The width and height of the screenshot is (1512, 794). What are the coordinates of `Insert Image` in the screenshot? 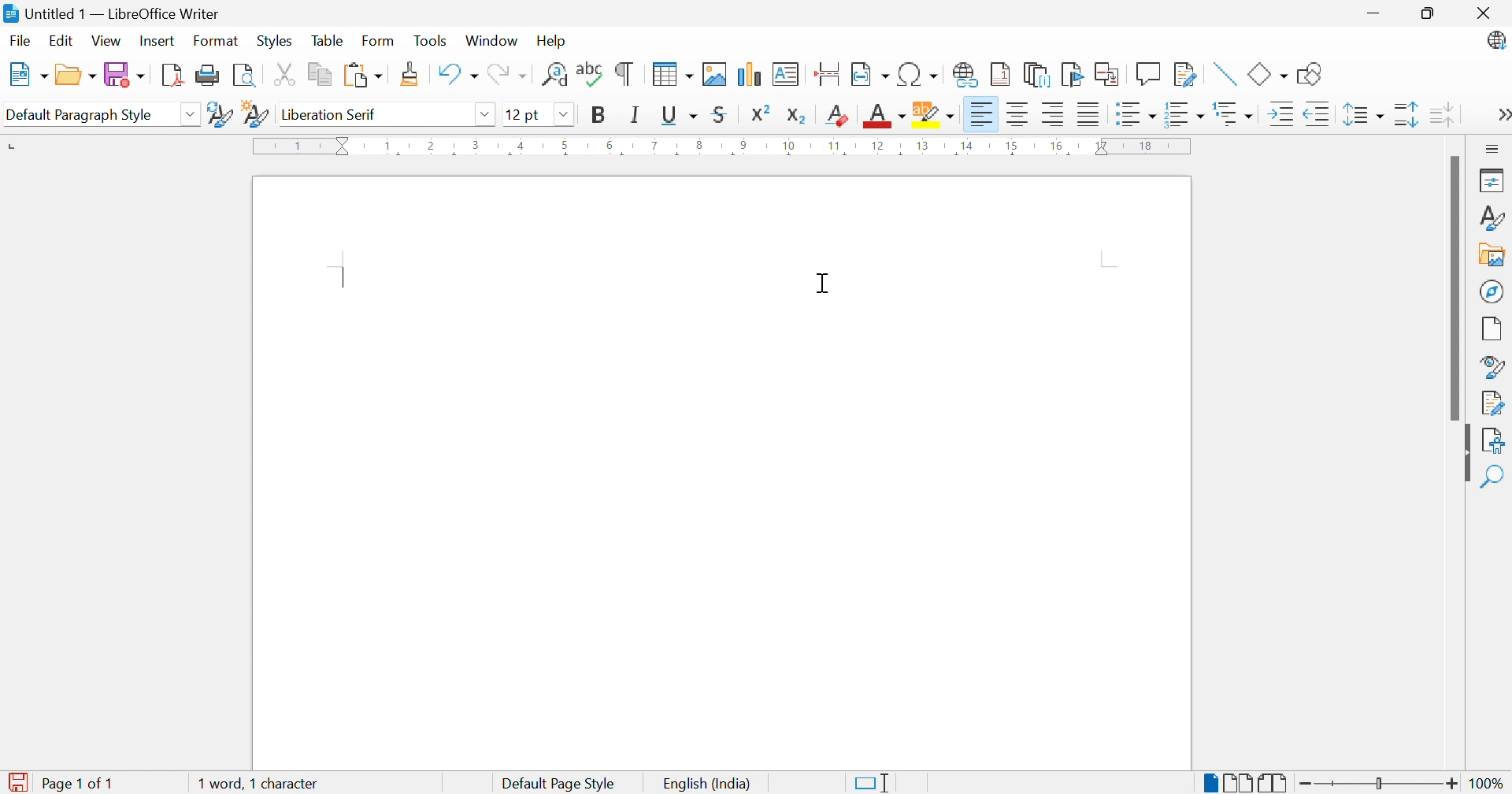 It's located at (715, 73).